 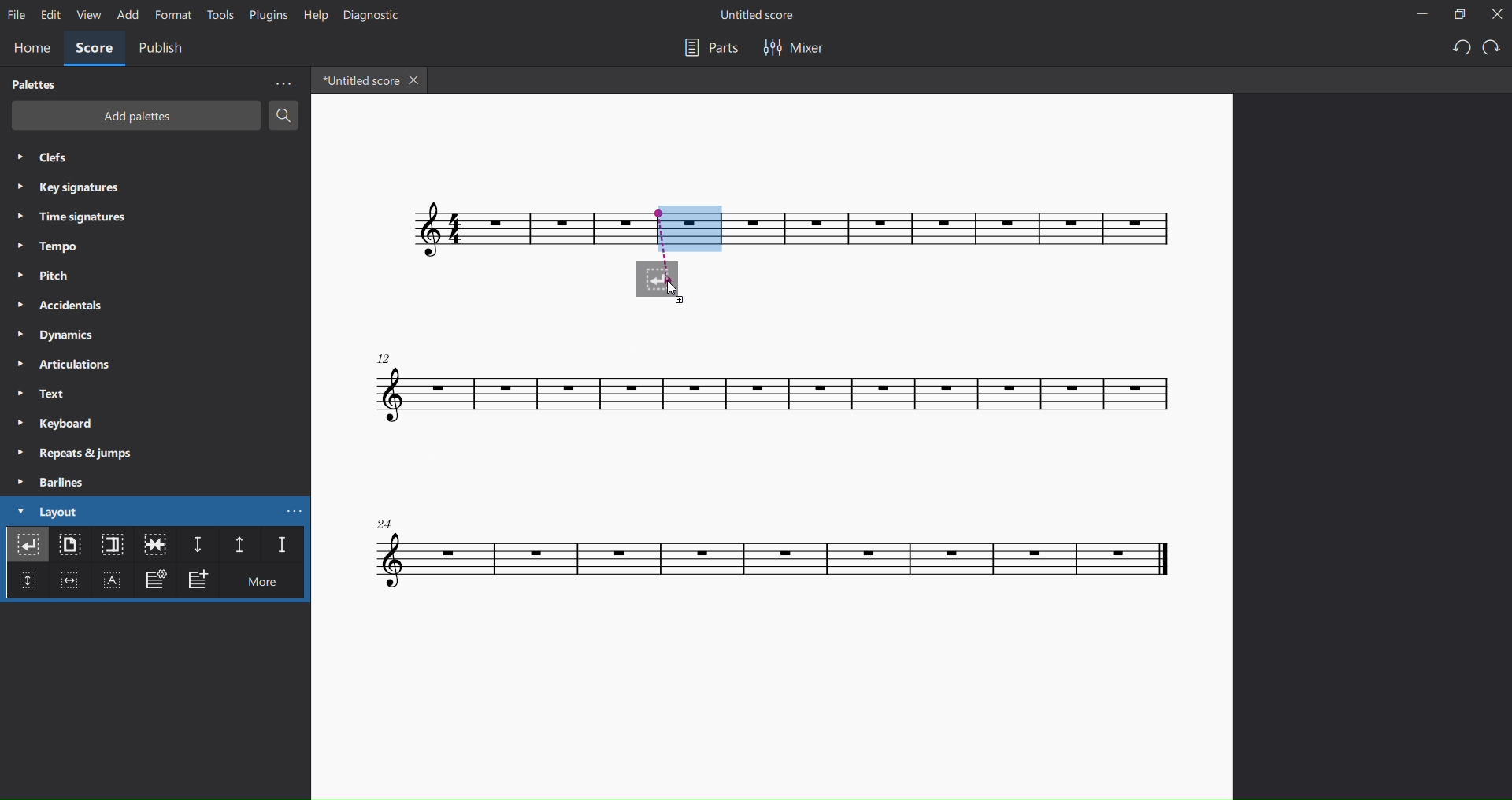 I want to click on staff spacer up, so click(x=235, y=545).